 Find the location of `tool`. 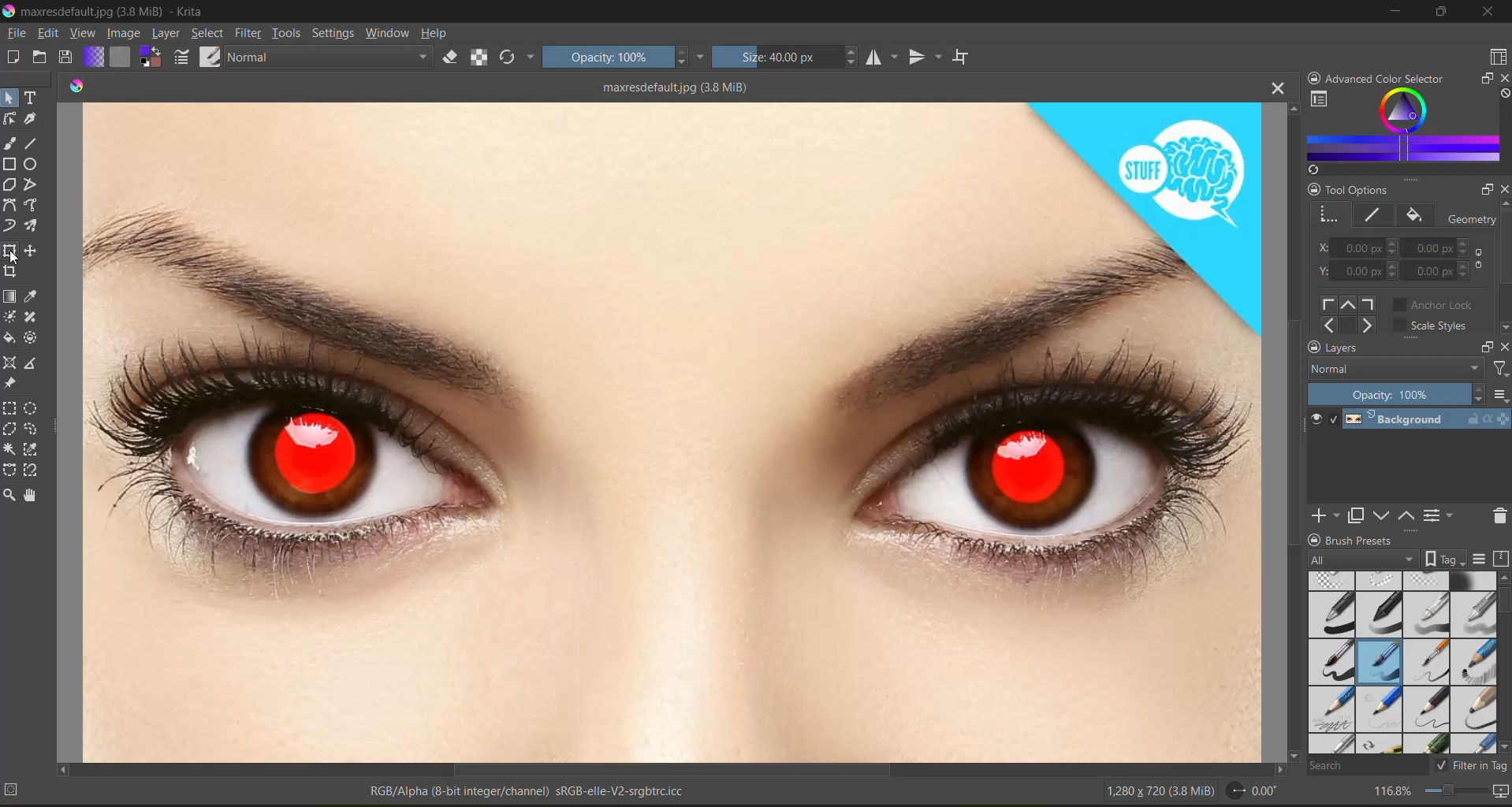

tool is located at coordinates (33, 164).